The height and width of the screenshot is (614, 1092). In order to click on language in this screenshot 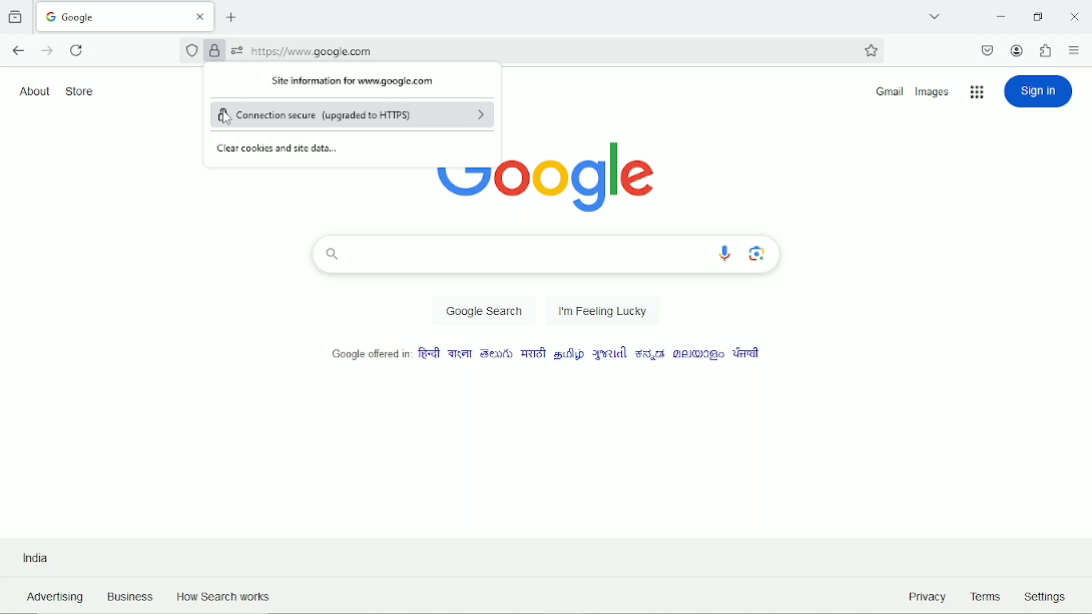, I will do `click(567, 354)`.